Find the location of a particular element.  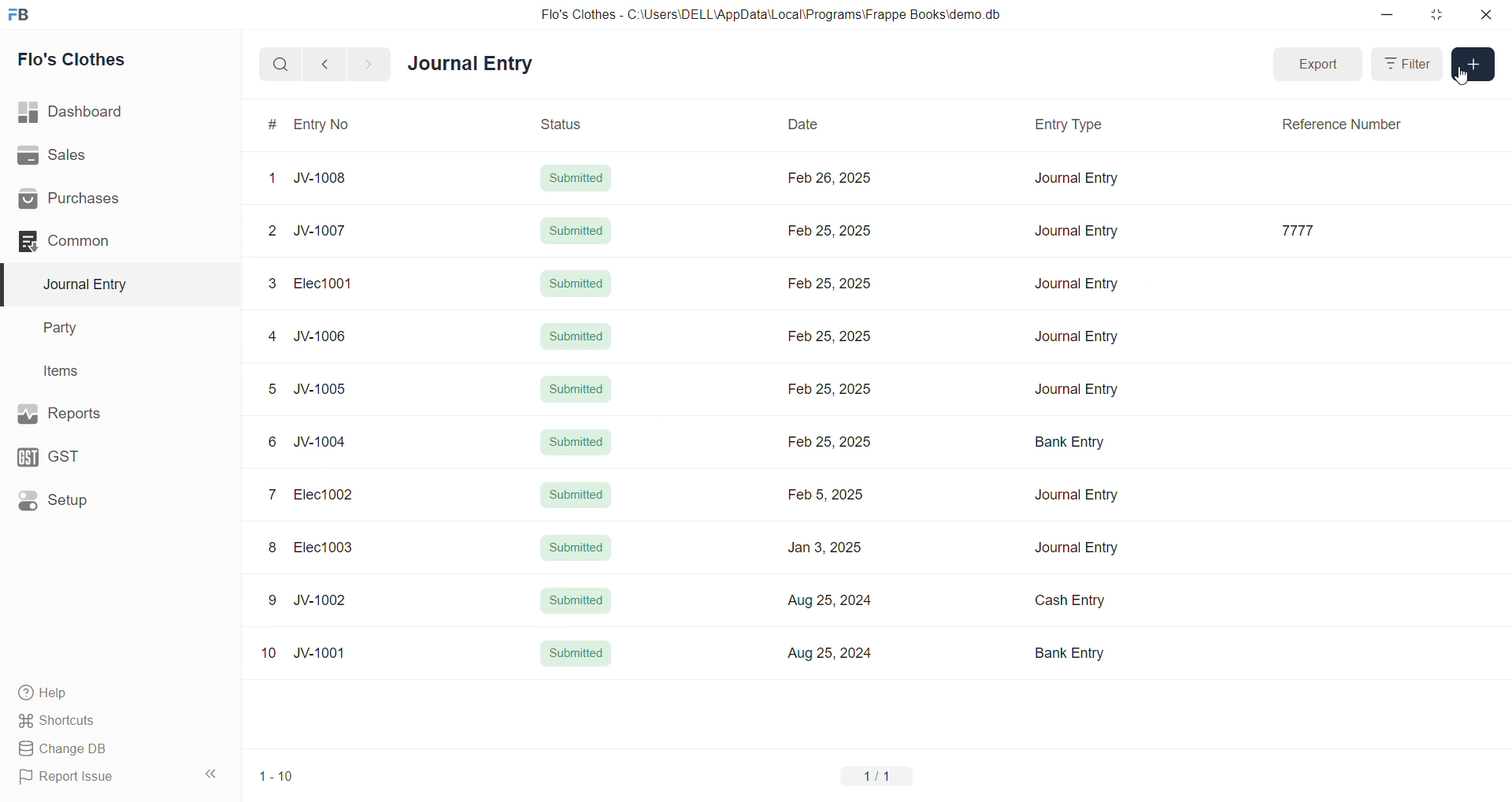

close is located at coordinates (1488, 14).